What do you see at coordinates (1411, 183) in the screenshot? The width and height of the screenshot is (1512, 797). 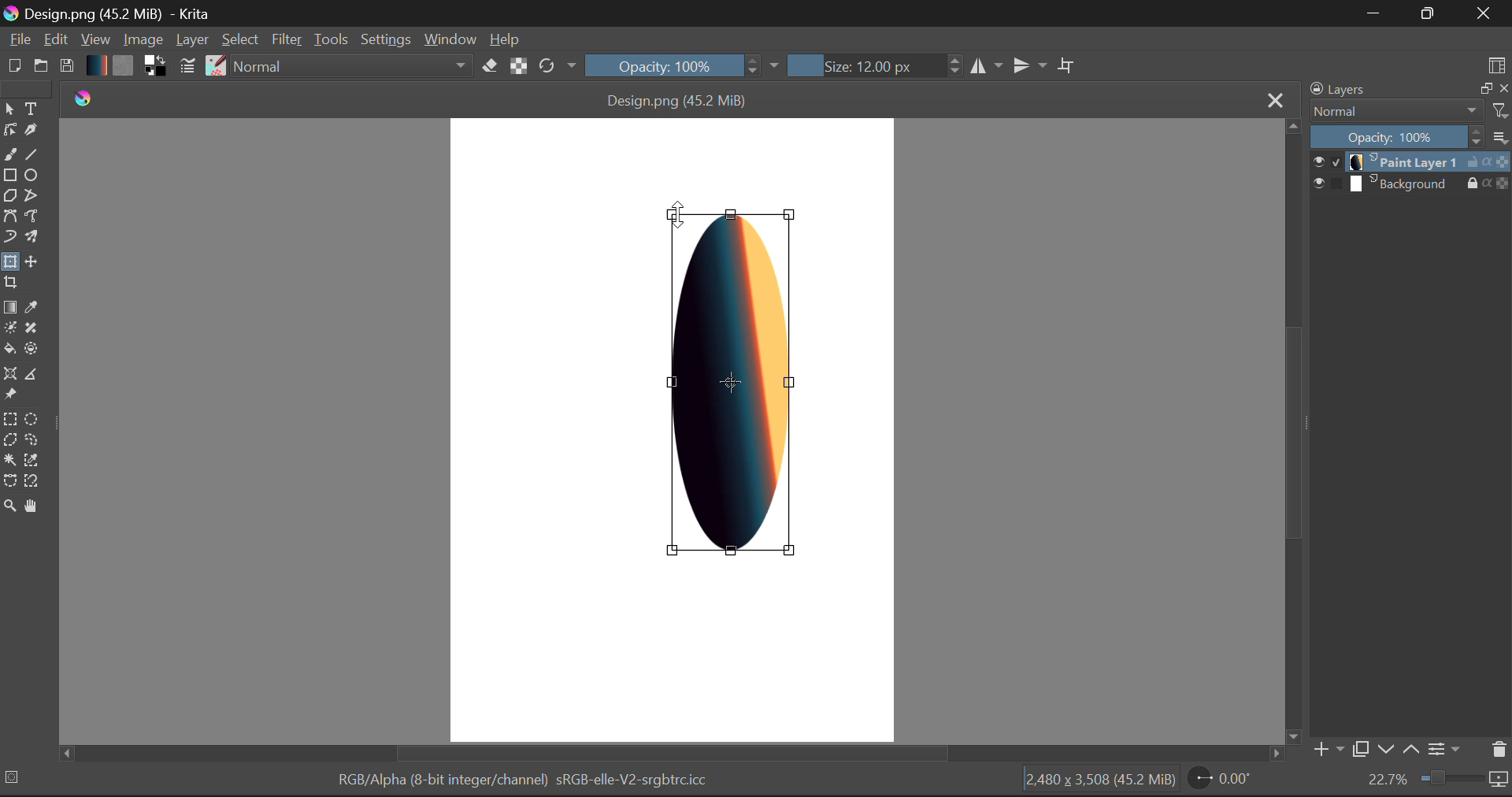 I see `Background Layer` at bounding box center [1411, 183].